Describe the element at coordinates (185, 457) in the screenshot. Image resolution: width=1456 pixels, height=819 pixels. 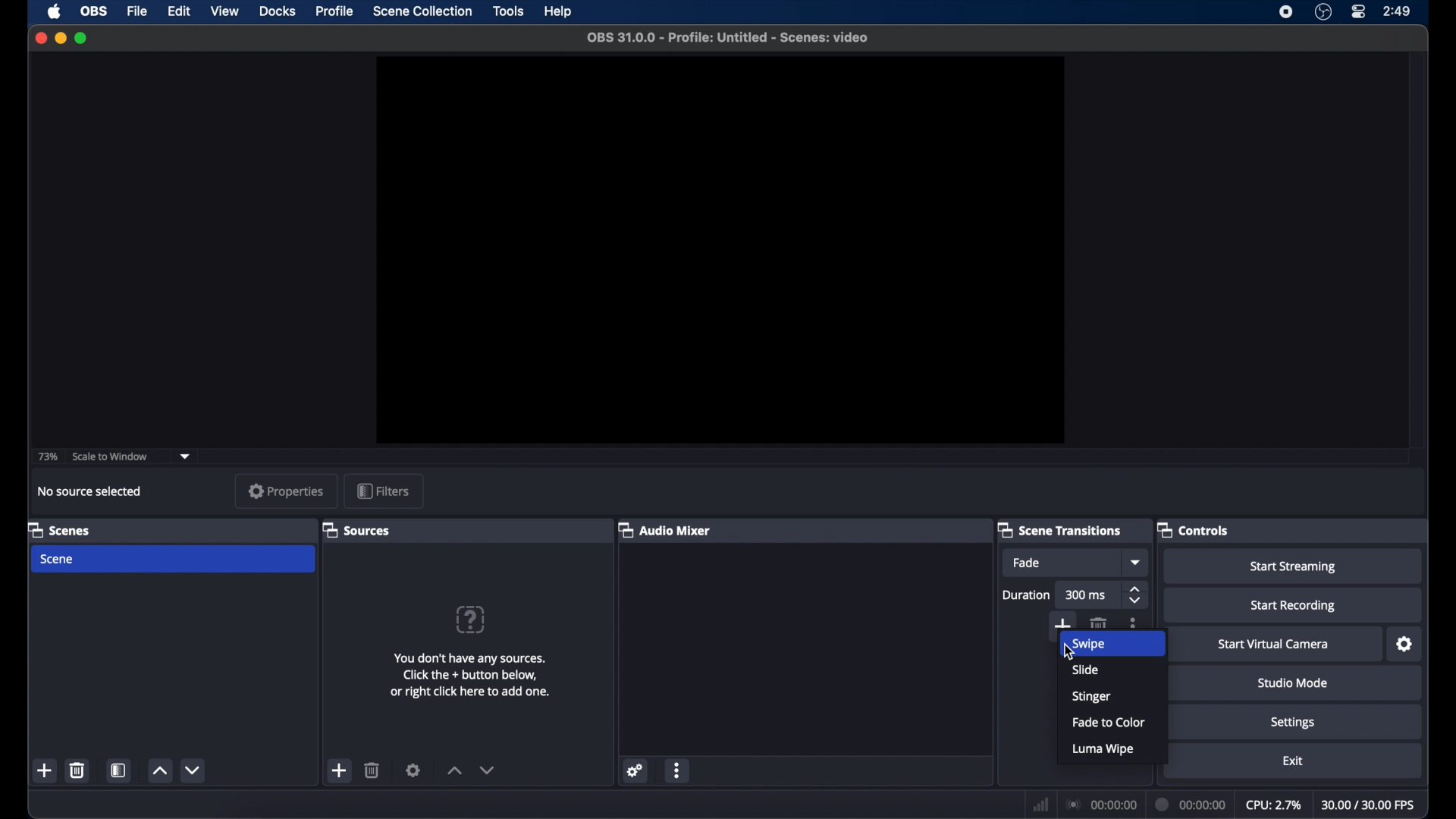
I see `dropdown` at that location.